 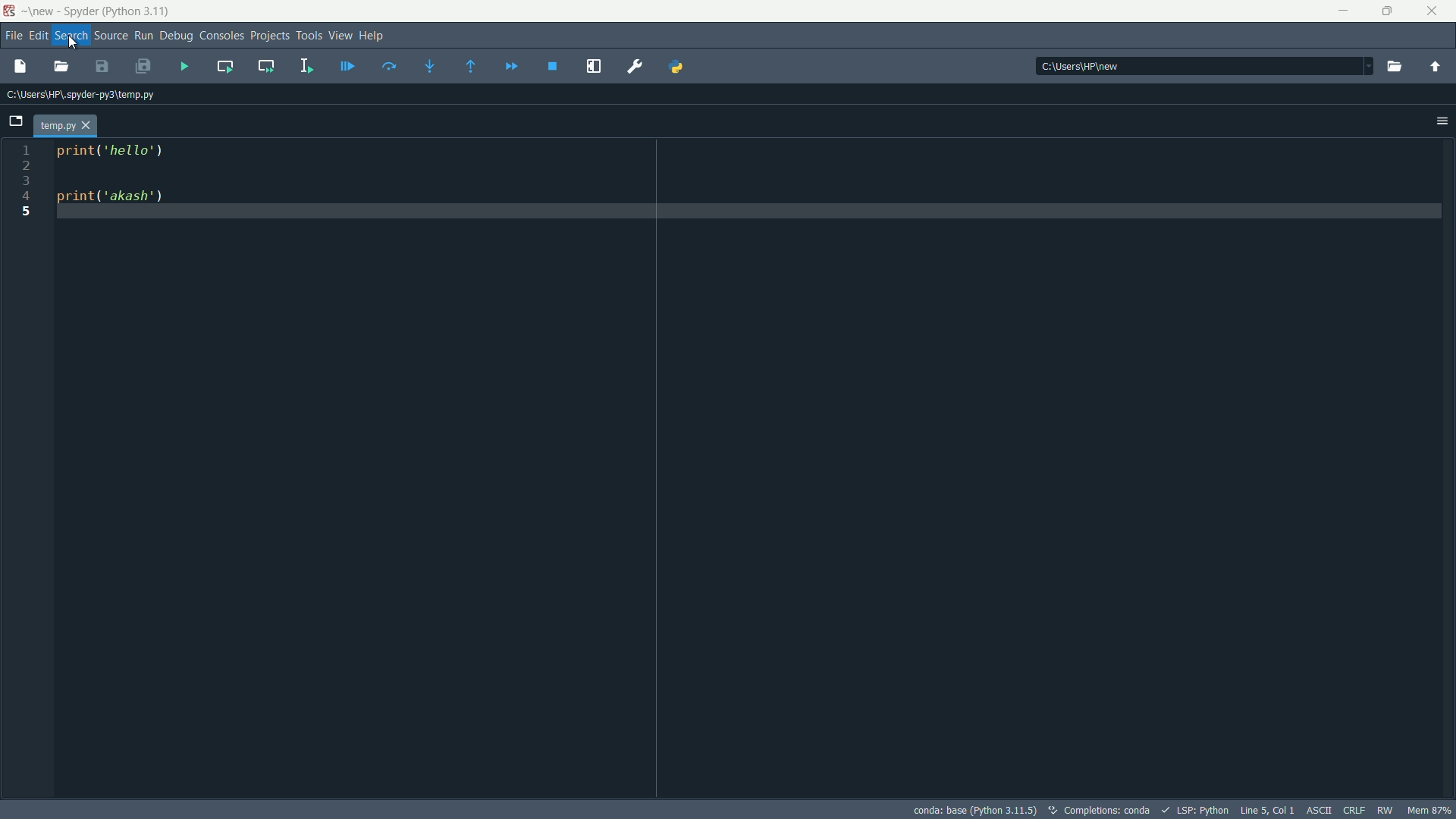 What do you see at coordinates (347, 67) in the screenshot?
I see `debug file` at bounding box center [347, 67].